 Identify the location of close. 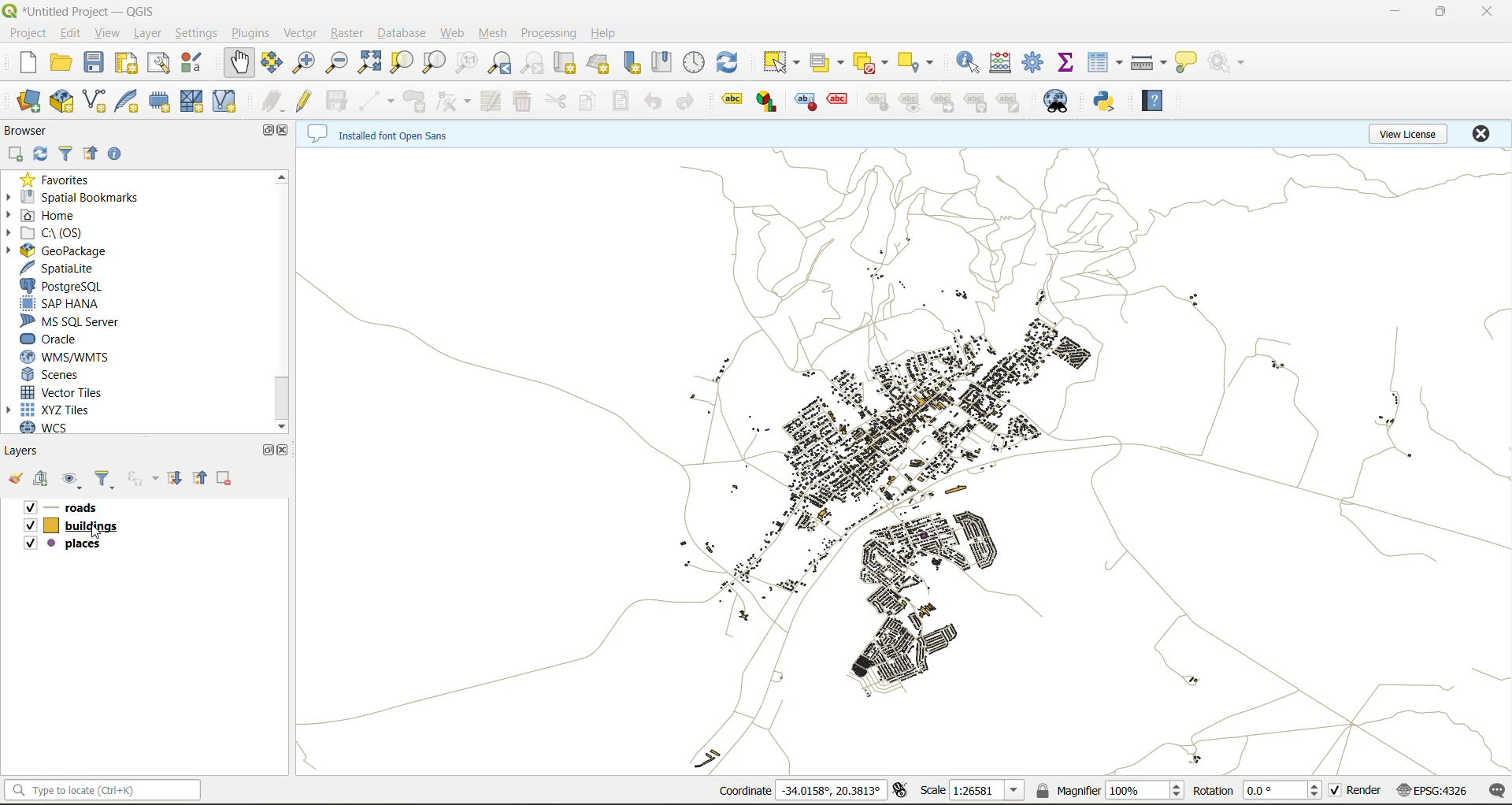
(1484, 12).